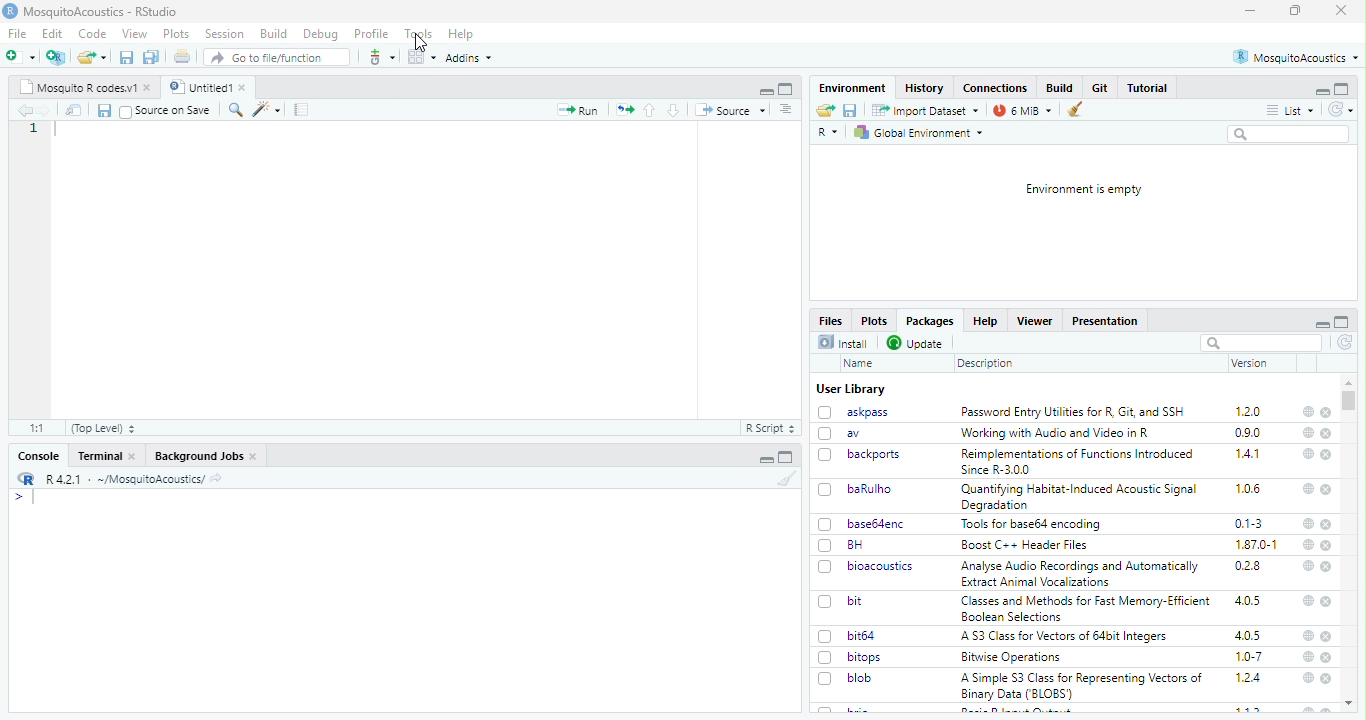 Image resolution: width=1366 pixels, height=720 pixels. What do you see at coordinates (1323, 92) in the screenshot?
I see `minimise` at bounding box center [1323, 92].